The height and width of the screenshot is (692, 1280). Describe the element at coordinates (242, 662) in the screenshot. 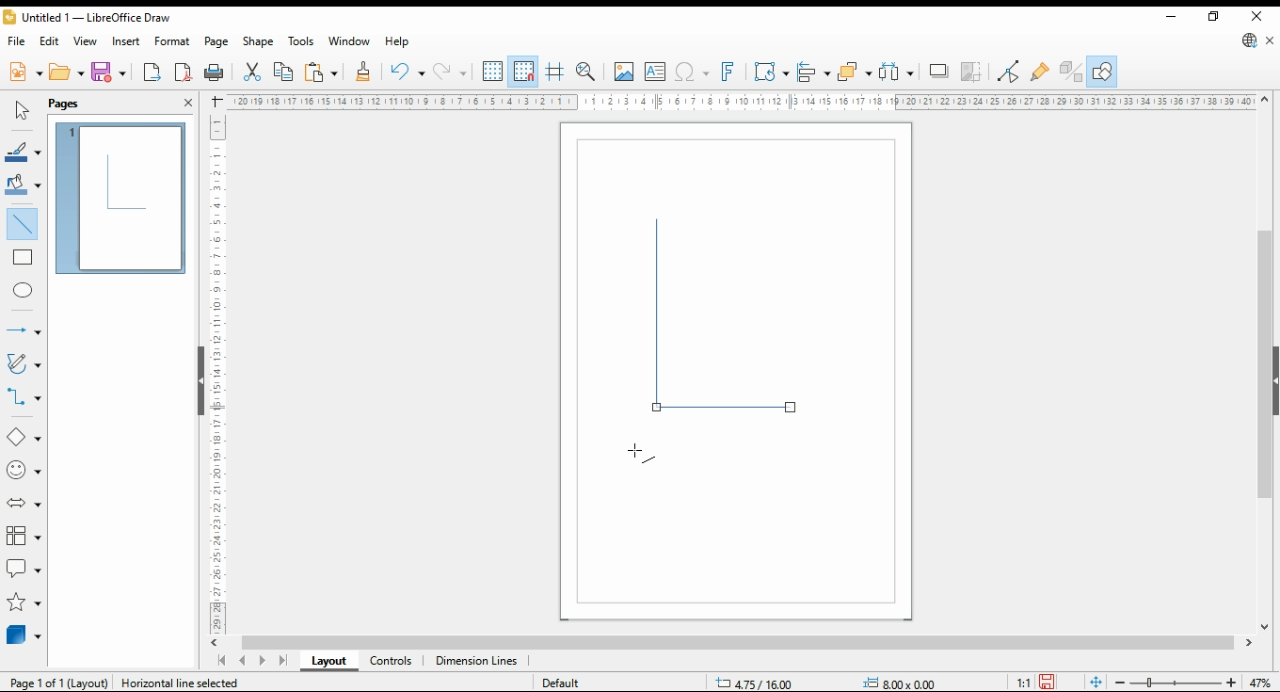

I see `previous page` at that location.